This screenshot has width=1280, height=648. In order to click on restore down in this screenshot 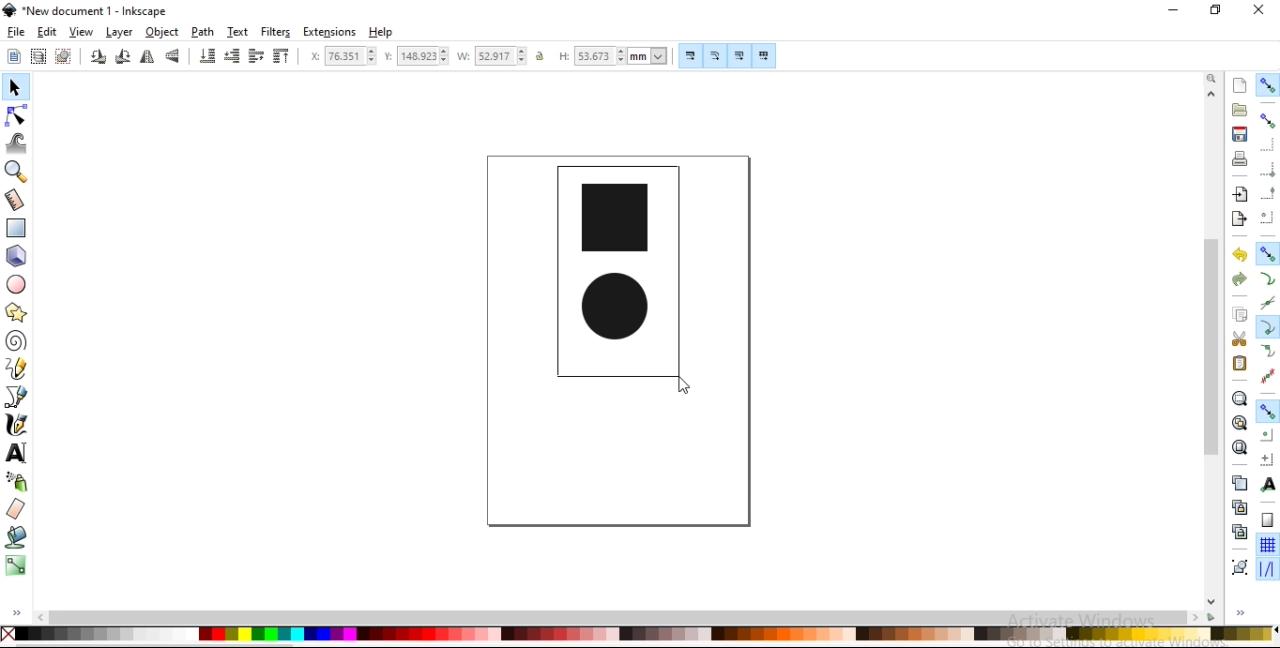, I will do `click(1216, 10)`.